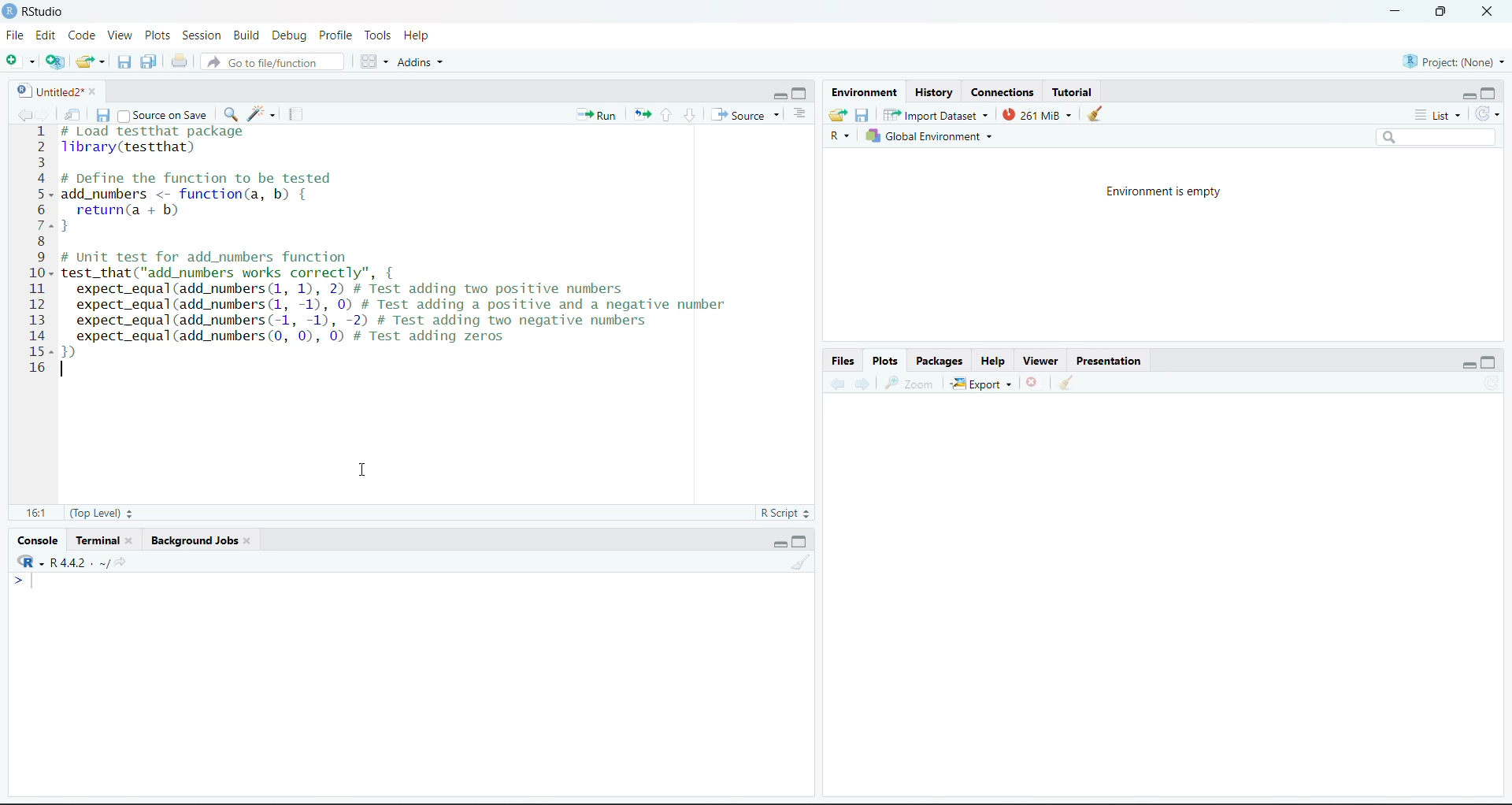  What do you see at coordinates (1490, 91) in the screenshot?
I see `maximize` at bounding box center [1490, 91].